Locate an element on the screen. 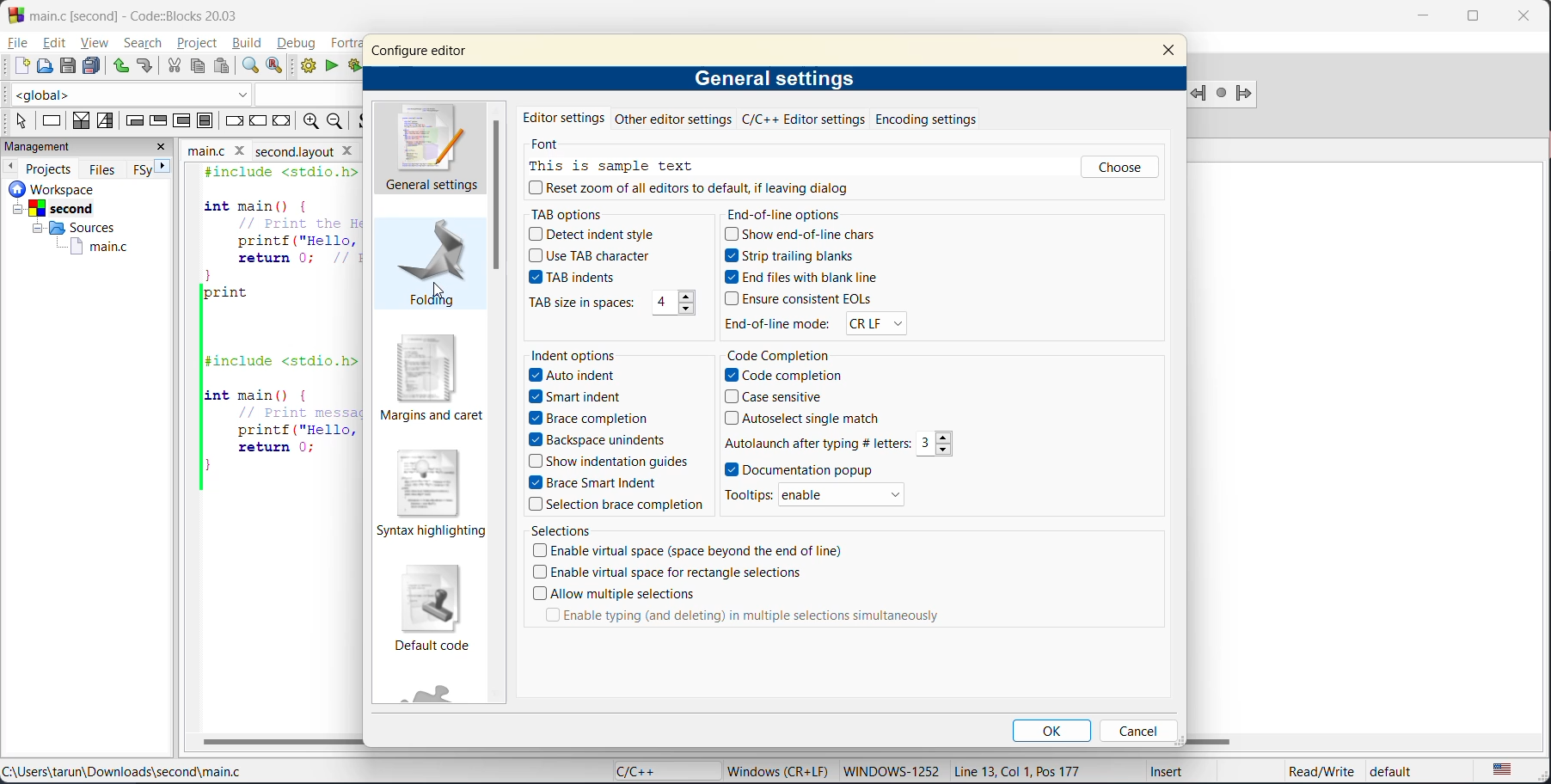 This screenshot has width=1551, height=784. maximize is located at coordinates (1471, 19).